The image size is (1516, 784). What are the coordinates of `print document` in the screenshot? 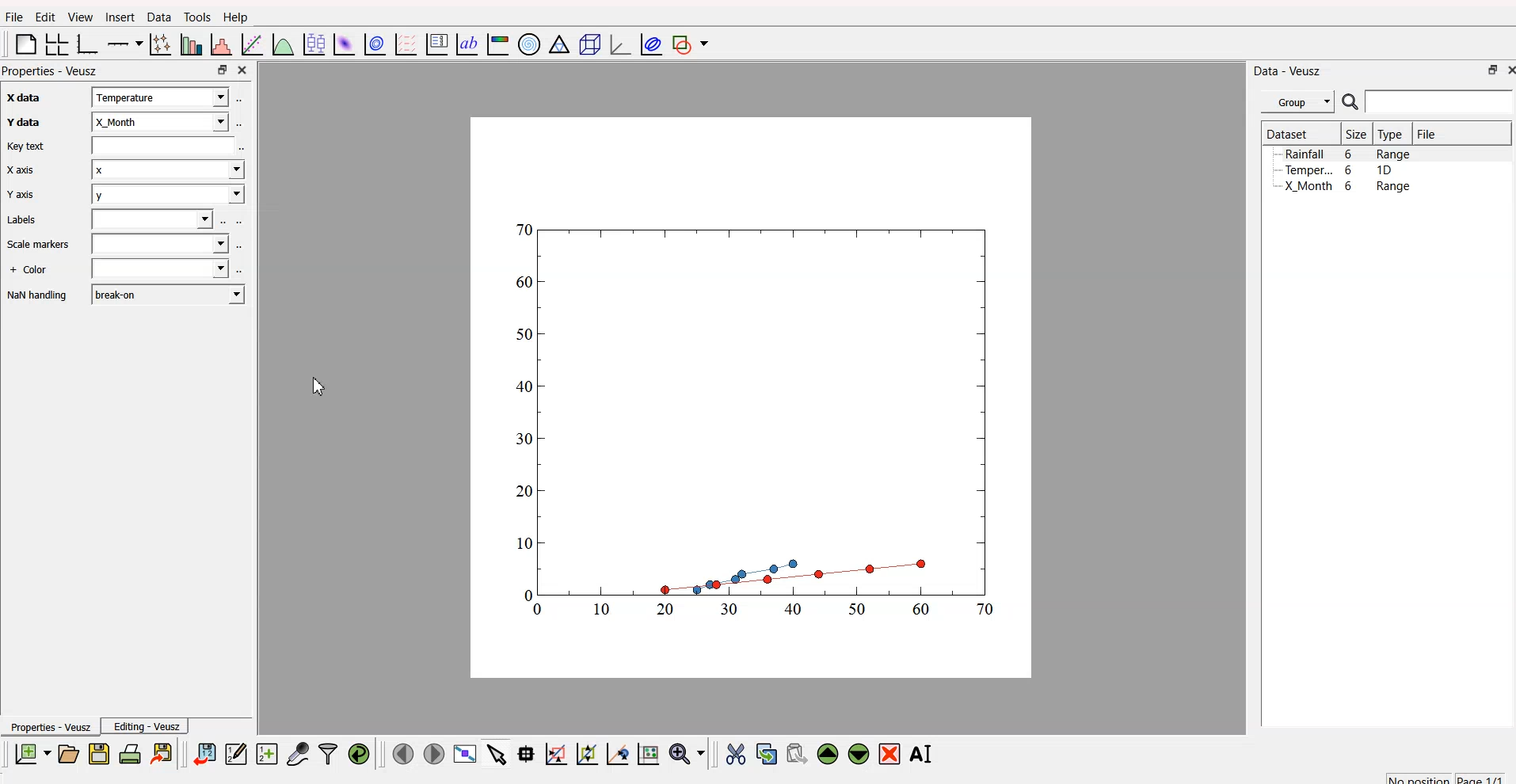 It's located at (130, 753).